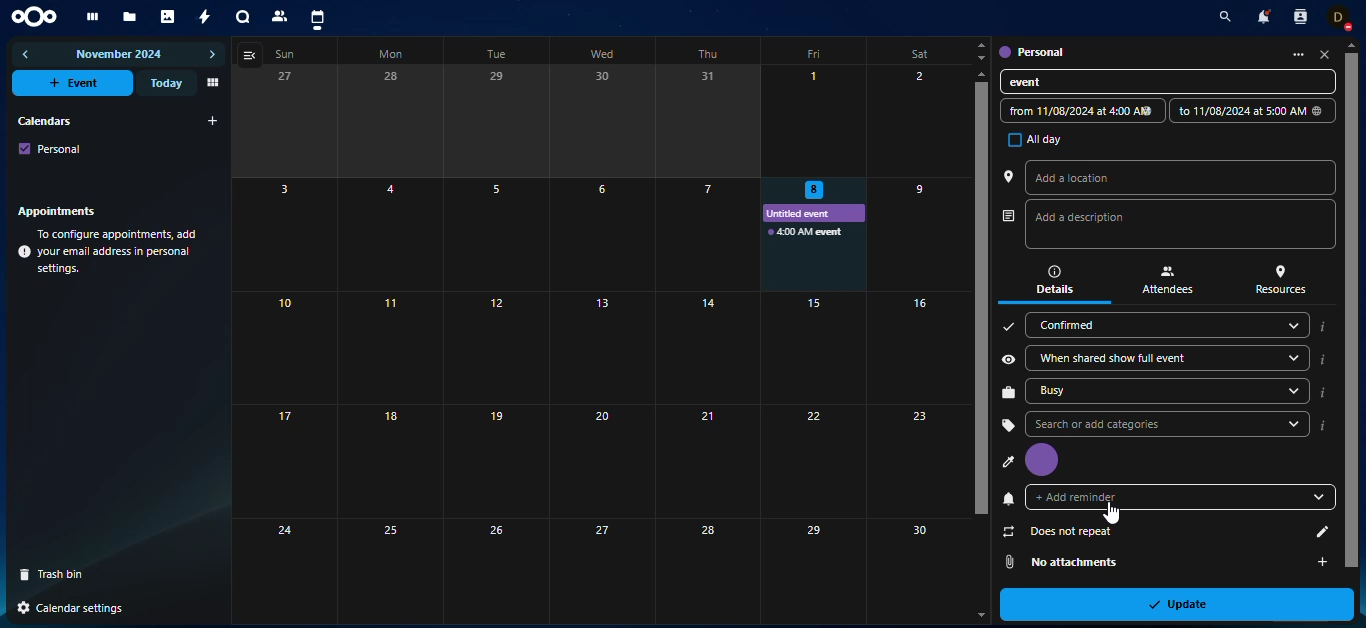 This screenshot has width=1366, height=628. What do you see at coordinates (27, 54) in the screenshot?
I see `previous` at bounding box center [27, 54].